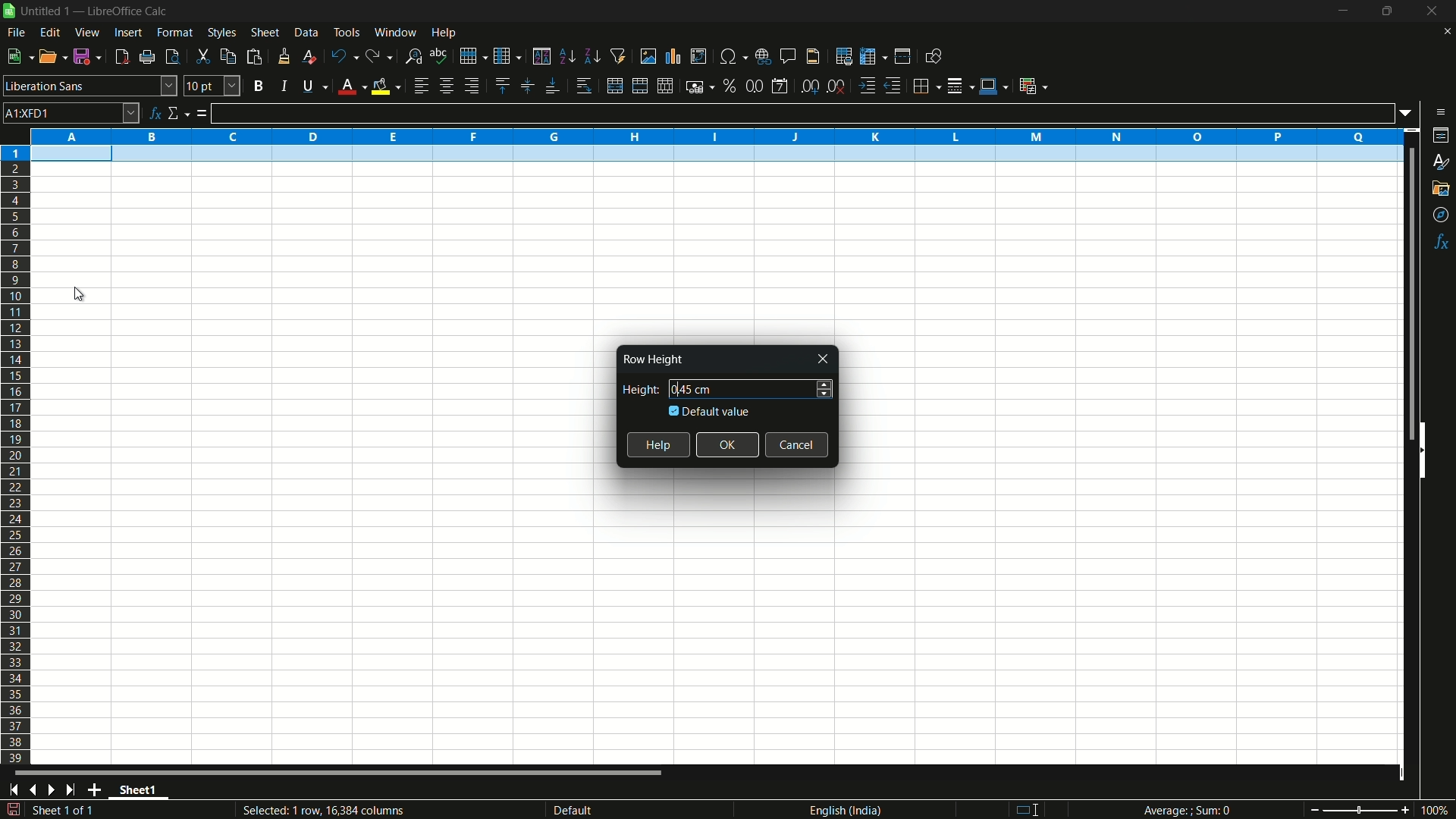  Describe the element at coordinates (780, 86) in the screenshot. I see `format as date` at that location.